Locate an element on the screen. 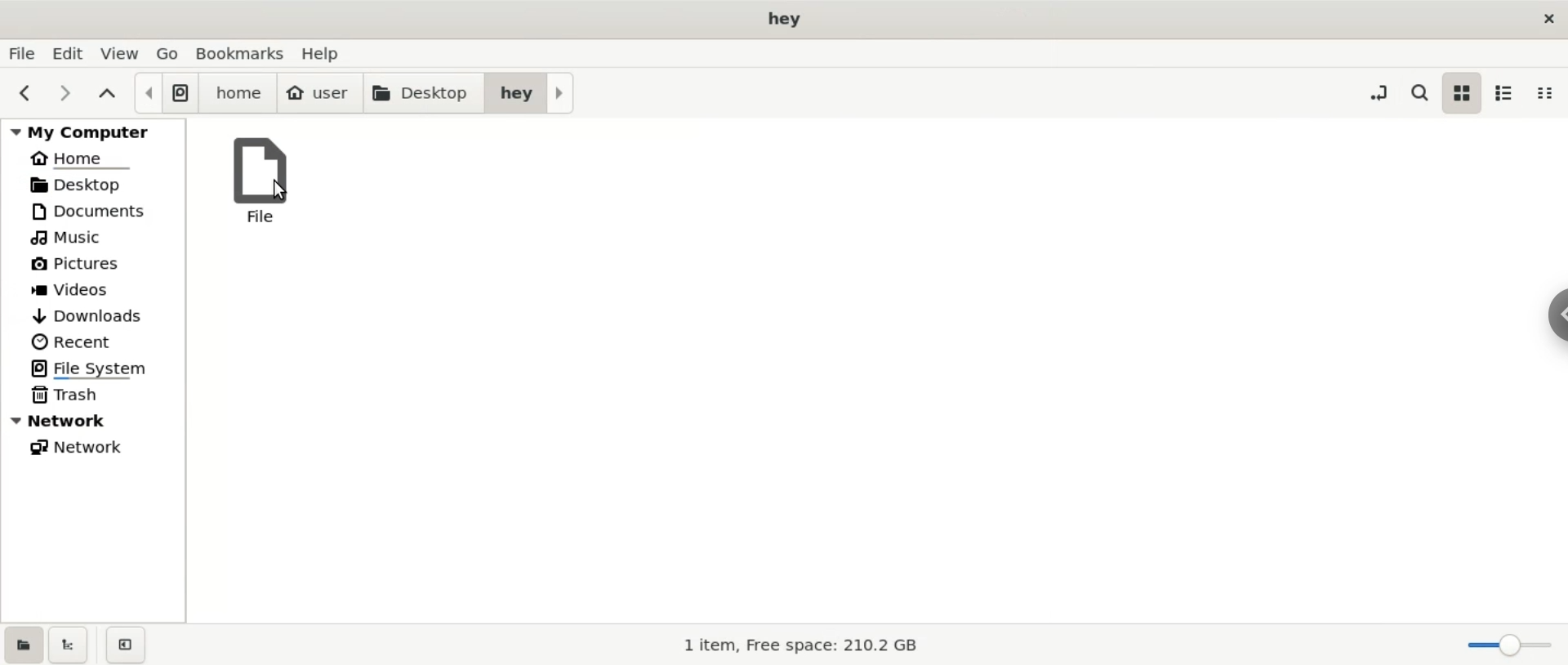  desktop is located at coordinates (91, 185).